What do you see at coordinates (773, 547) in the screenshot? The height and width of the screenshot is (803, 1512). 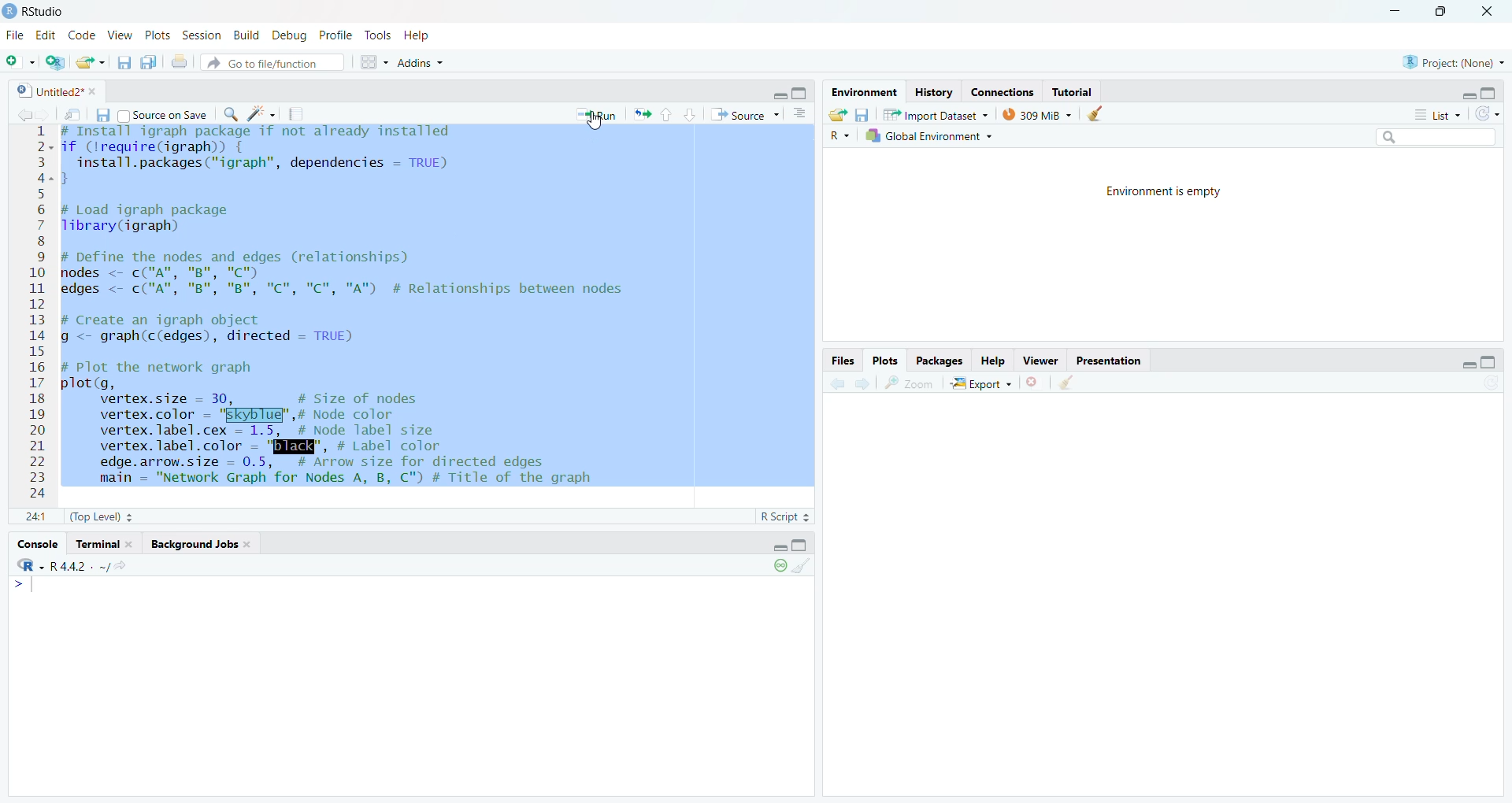 I see `minimise` at bounding box center [773, 547].